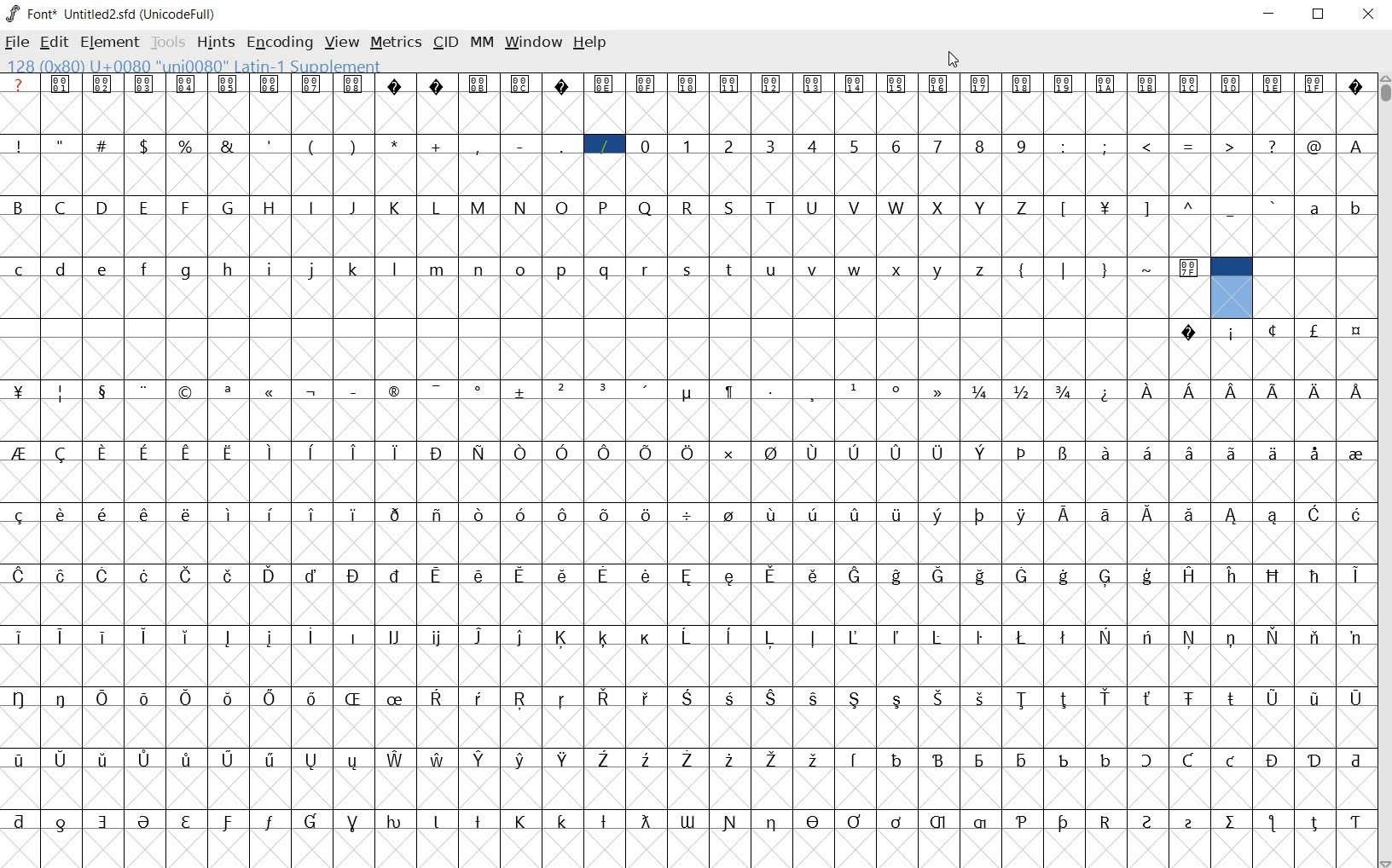 Image resolution: width=1392 pixels, height=868 pixels. What do you see at coordinates (983, 698) in the screenshot?
I see `Symbol` at bounding box center [983, 698].